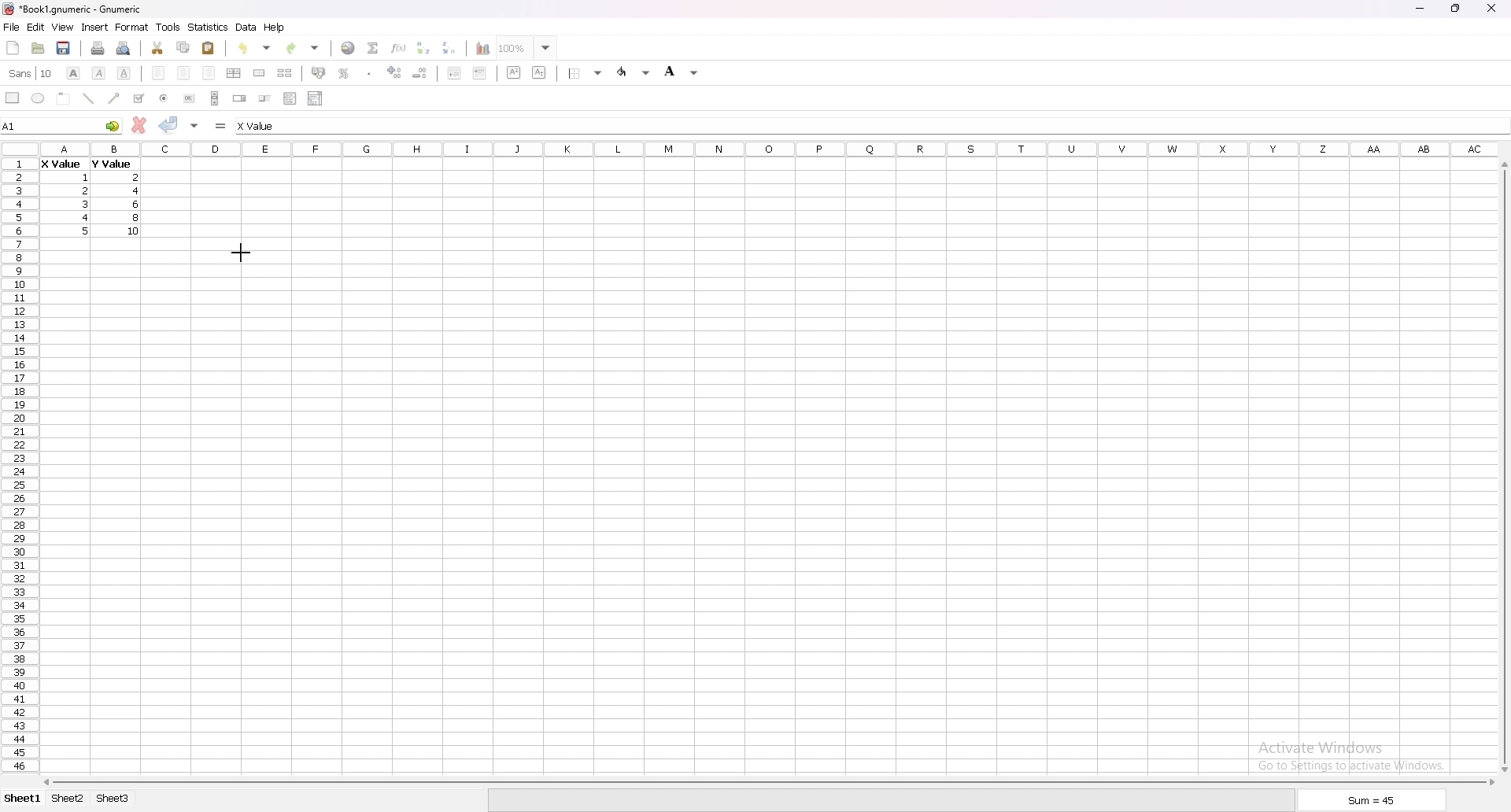  What do you see at coordinates (770, 147) in the screenshot?
I see `columns` at bounding box center [770, 147].